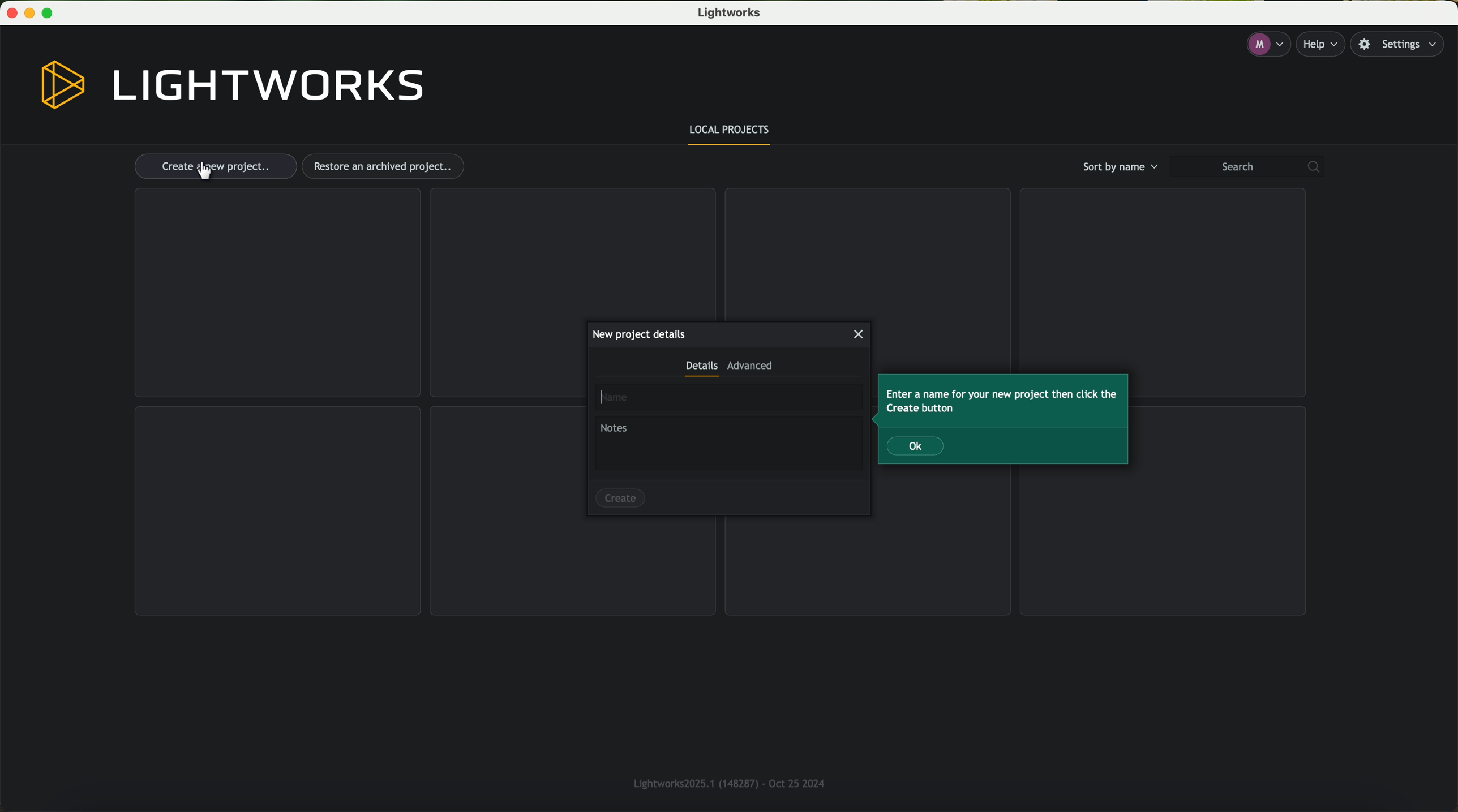 The width and height of the screenshot is (1458, 812). I want to click on sort by name, so click(1118, 166).